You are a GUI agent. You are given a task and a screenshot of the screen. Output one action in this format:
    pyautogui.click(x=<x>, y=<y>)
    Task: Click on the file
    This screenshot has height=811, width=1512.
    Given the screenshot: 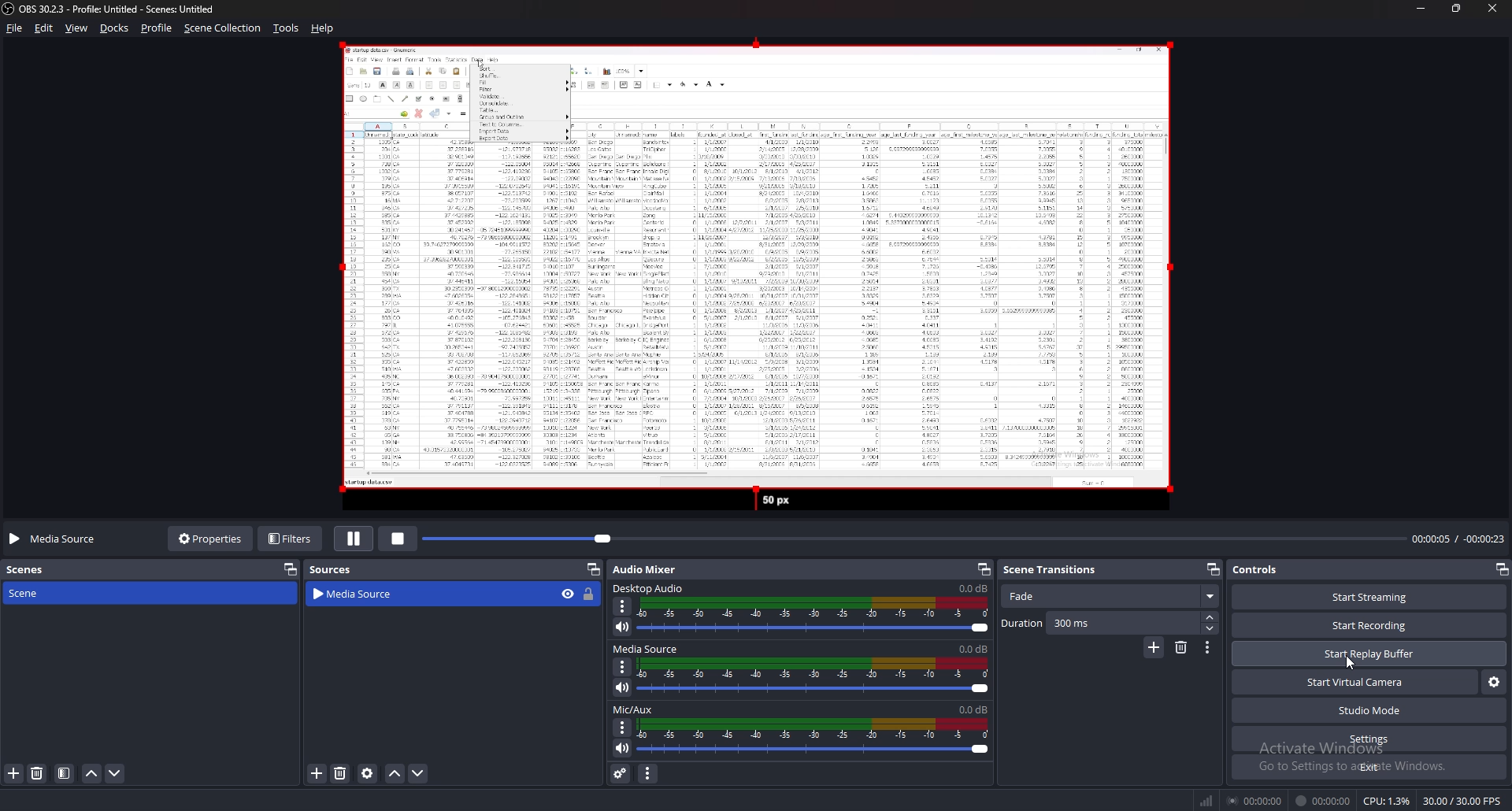 What is the action you would take?
    pyautogui.click(x=15, y=28)
    